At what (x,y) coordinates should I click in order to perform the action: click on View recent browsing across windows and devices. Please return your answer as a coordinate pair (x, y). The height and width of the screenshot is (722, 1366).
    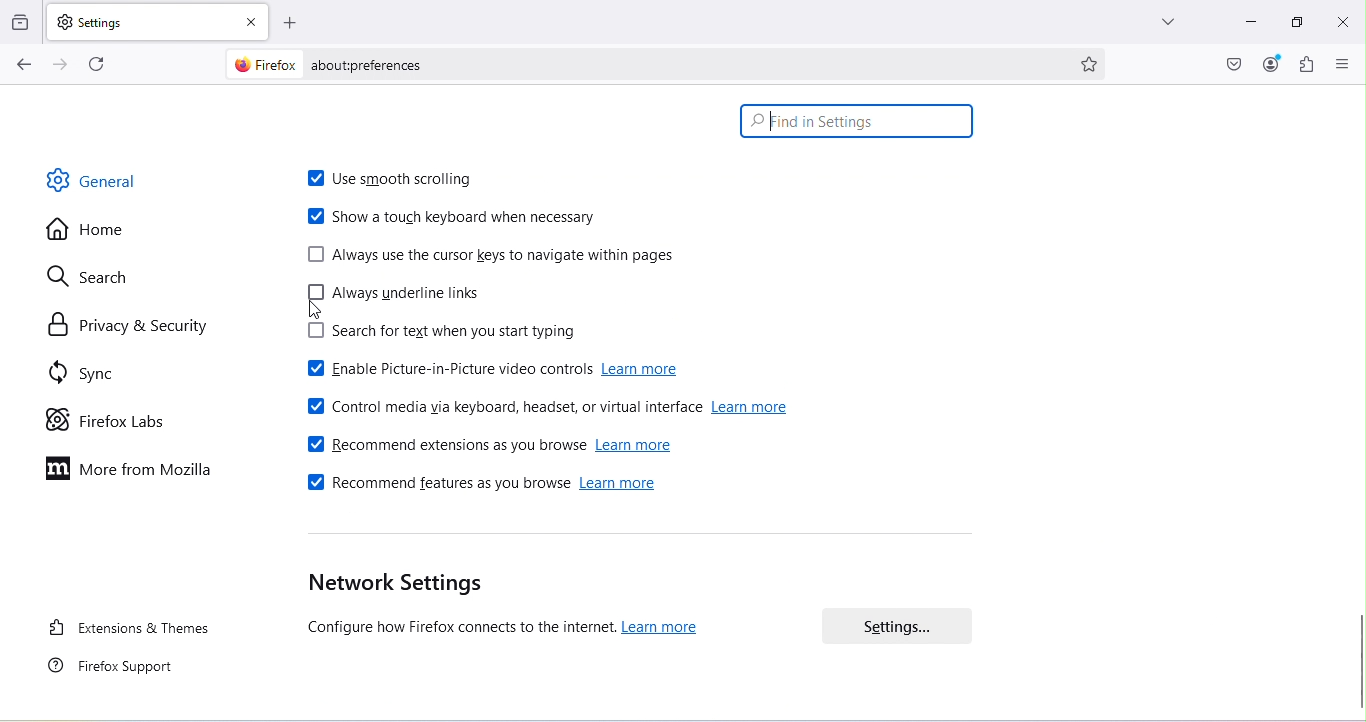
    Looking at the image, I should click on (22, 18).